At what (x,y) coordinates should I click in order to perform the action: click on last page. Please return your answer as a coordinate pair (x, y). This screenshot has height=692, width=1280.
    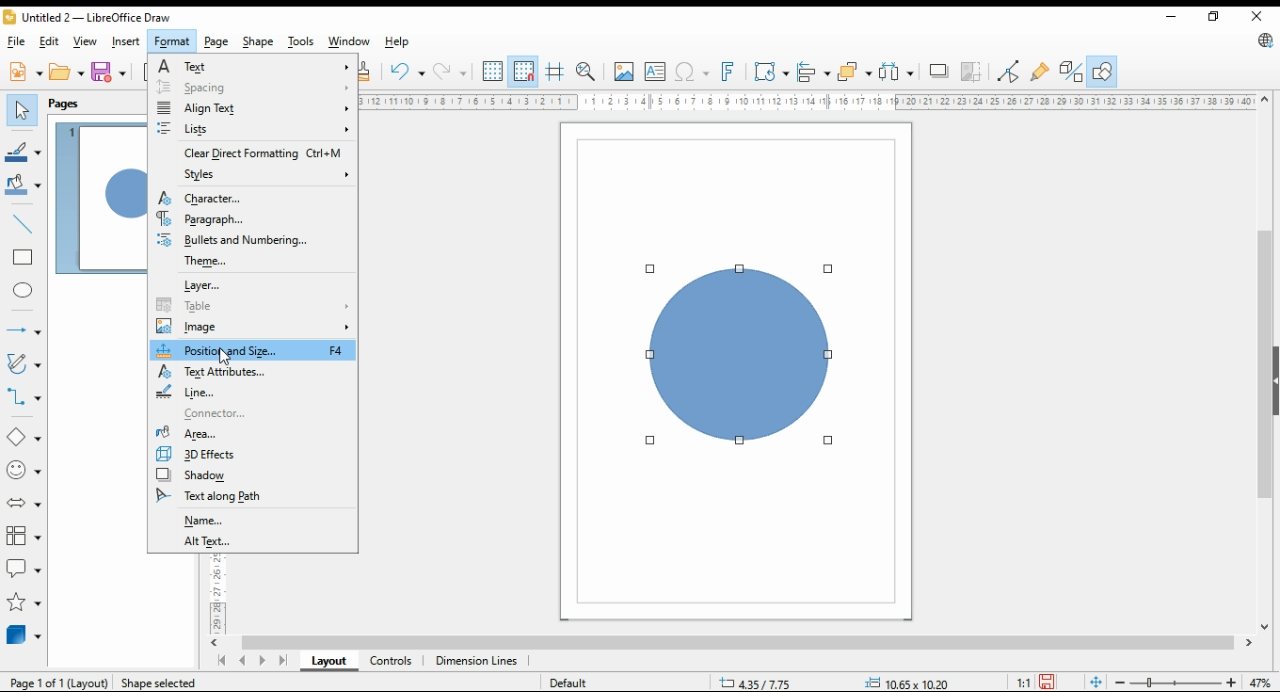
    Looking at the image, I should click on (281, 660).